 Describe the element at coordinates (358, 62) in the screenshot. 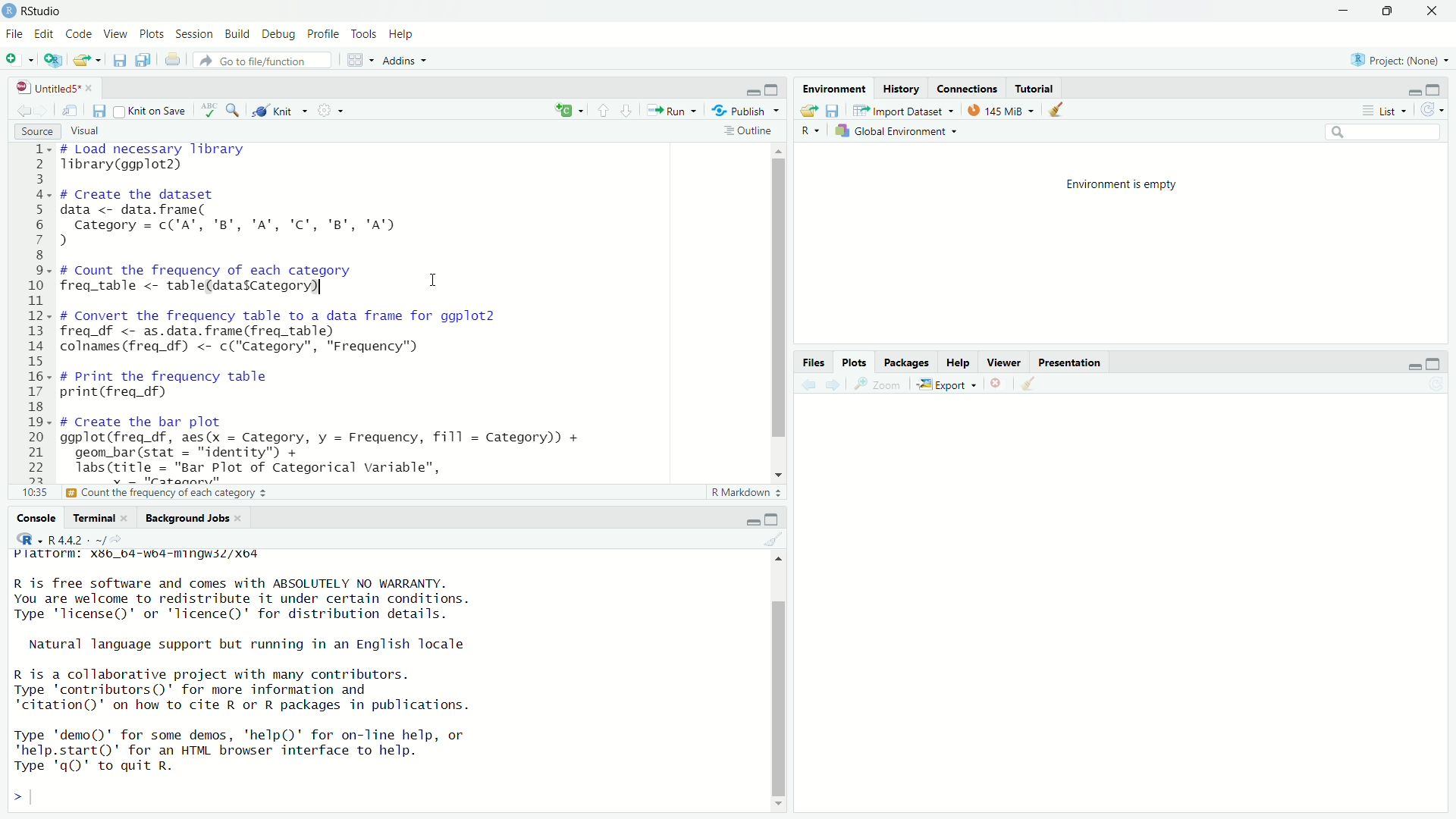

I see `workspace panes` at that location.